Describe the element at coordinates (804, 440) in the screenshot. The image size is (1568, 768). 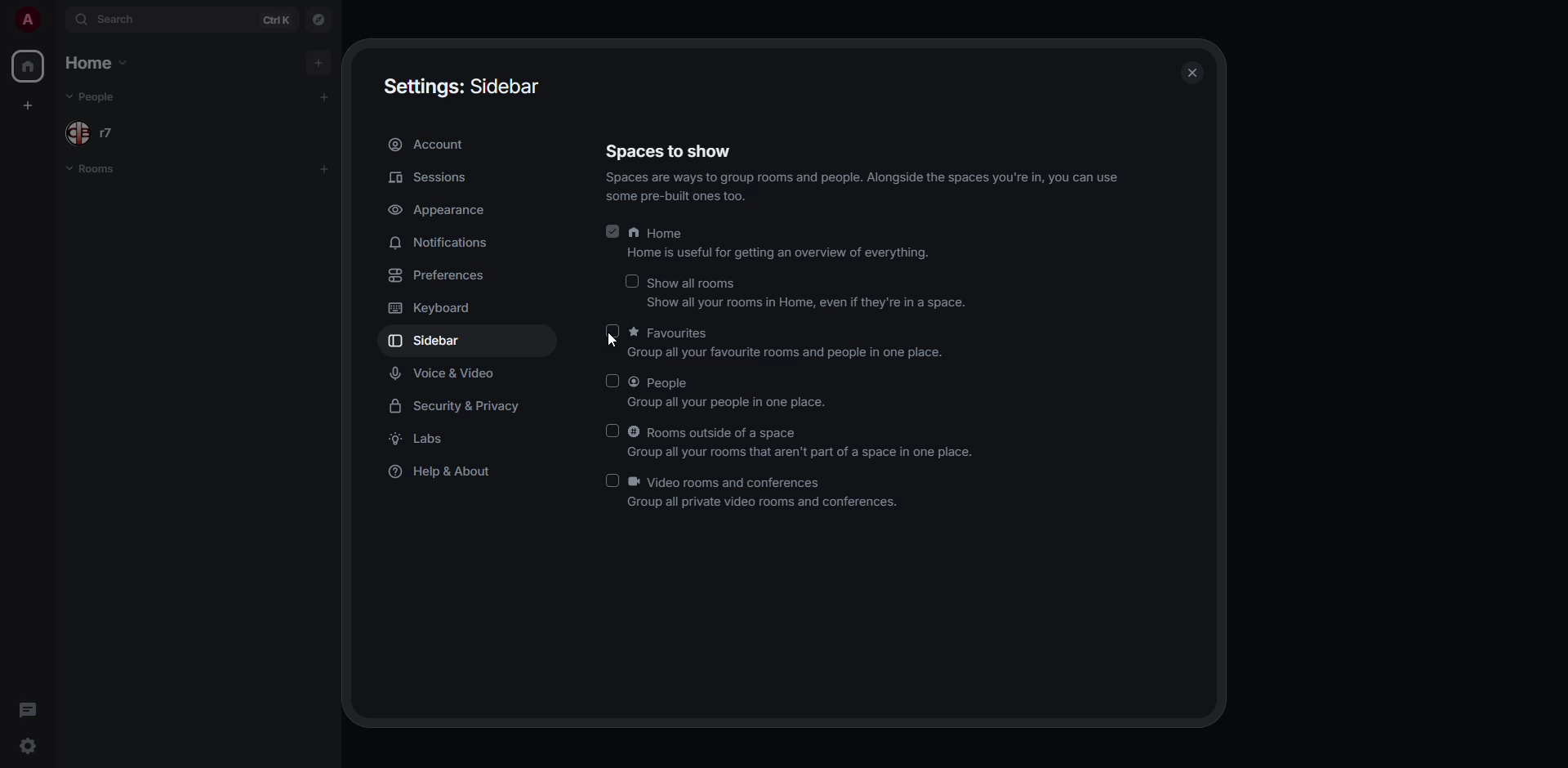
I see `Rooms outside of a spaceGroup all your rooms that aren't part of a space in one place.` at that location.